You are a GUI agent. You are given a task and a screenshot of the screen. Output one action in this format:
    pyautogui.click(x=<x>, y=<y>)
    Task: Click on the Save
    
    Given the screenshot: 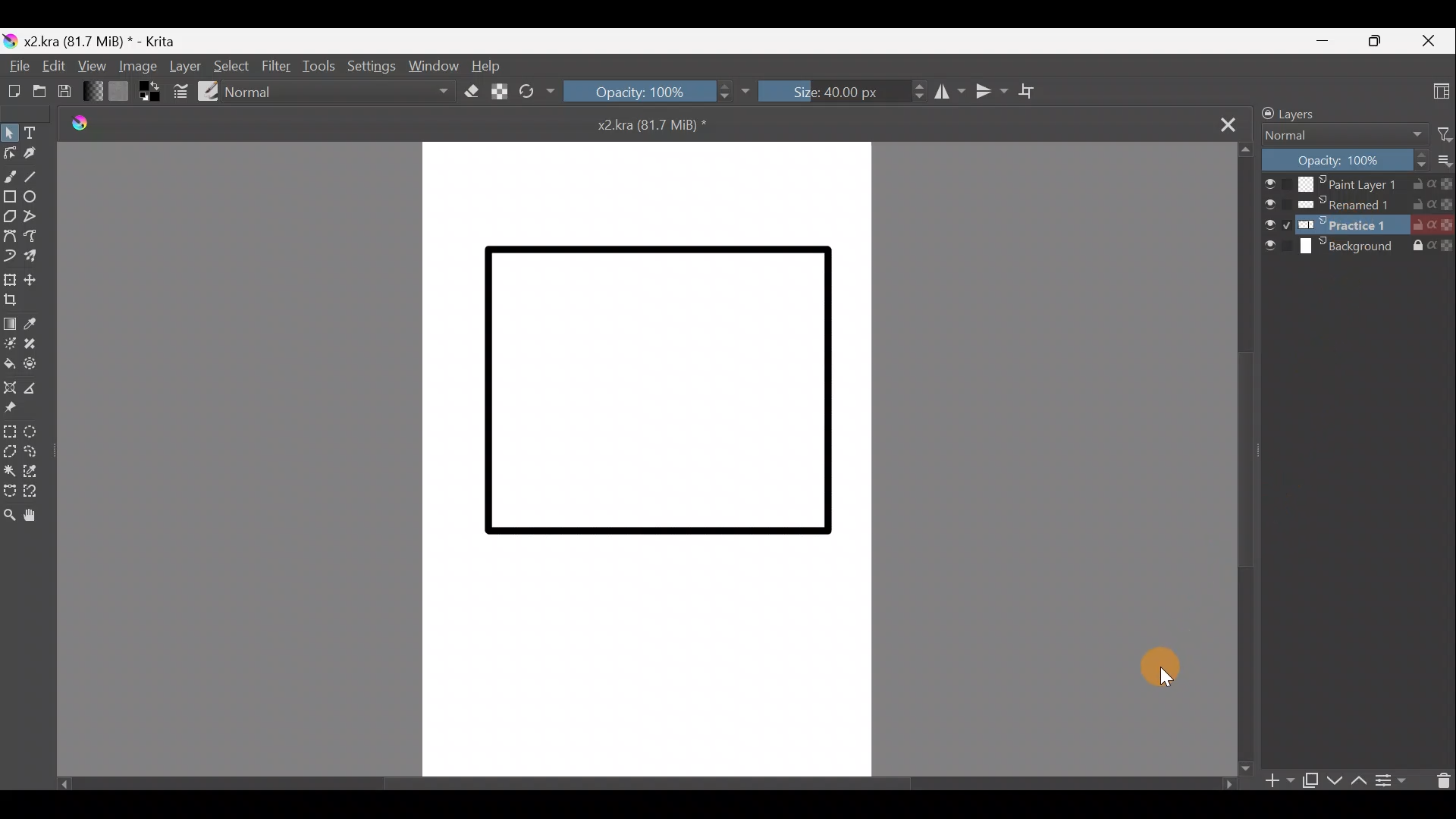 What is the action you would take?
    pyautogui.click(x=64, y=90)
    